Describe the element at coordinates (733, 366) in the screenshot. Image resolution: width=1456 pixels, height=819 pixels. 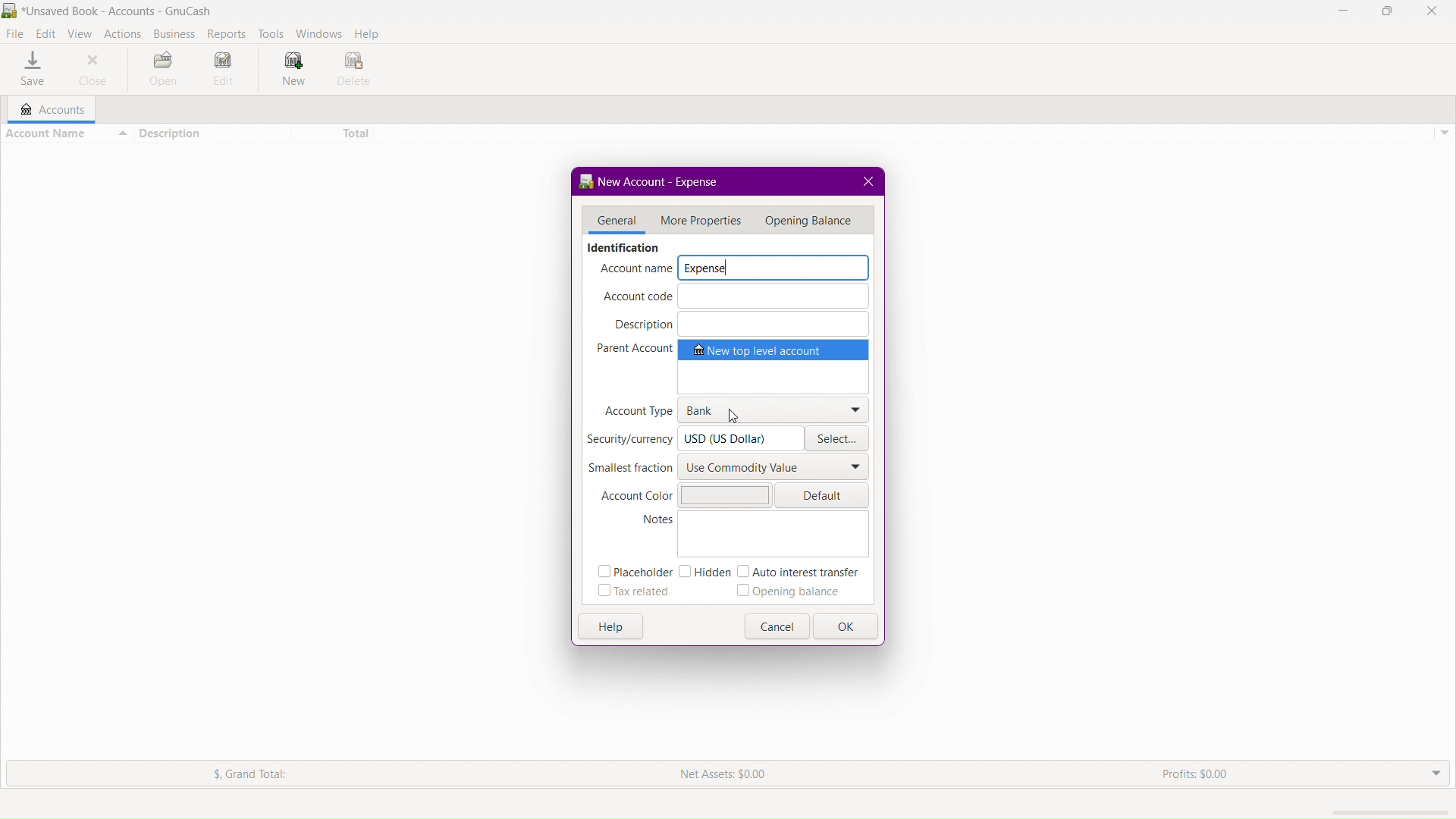
I see `Parent Account` at that location.